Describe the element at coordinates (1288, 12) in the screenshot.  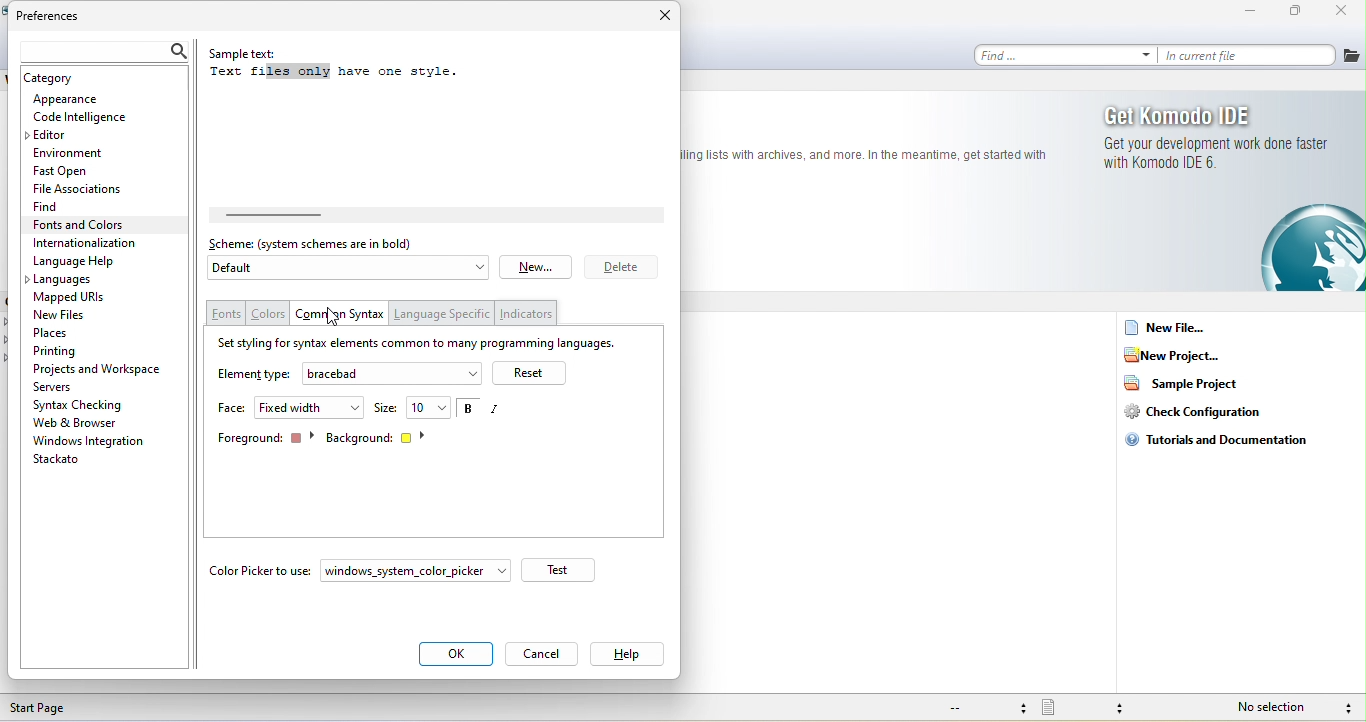
I see `maximize` at that location.